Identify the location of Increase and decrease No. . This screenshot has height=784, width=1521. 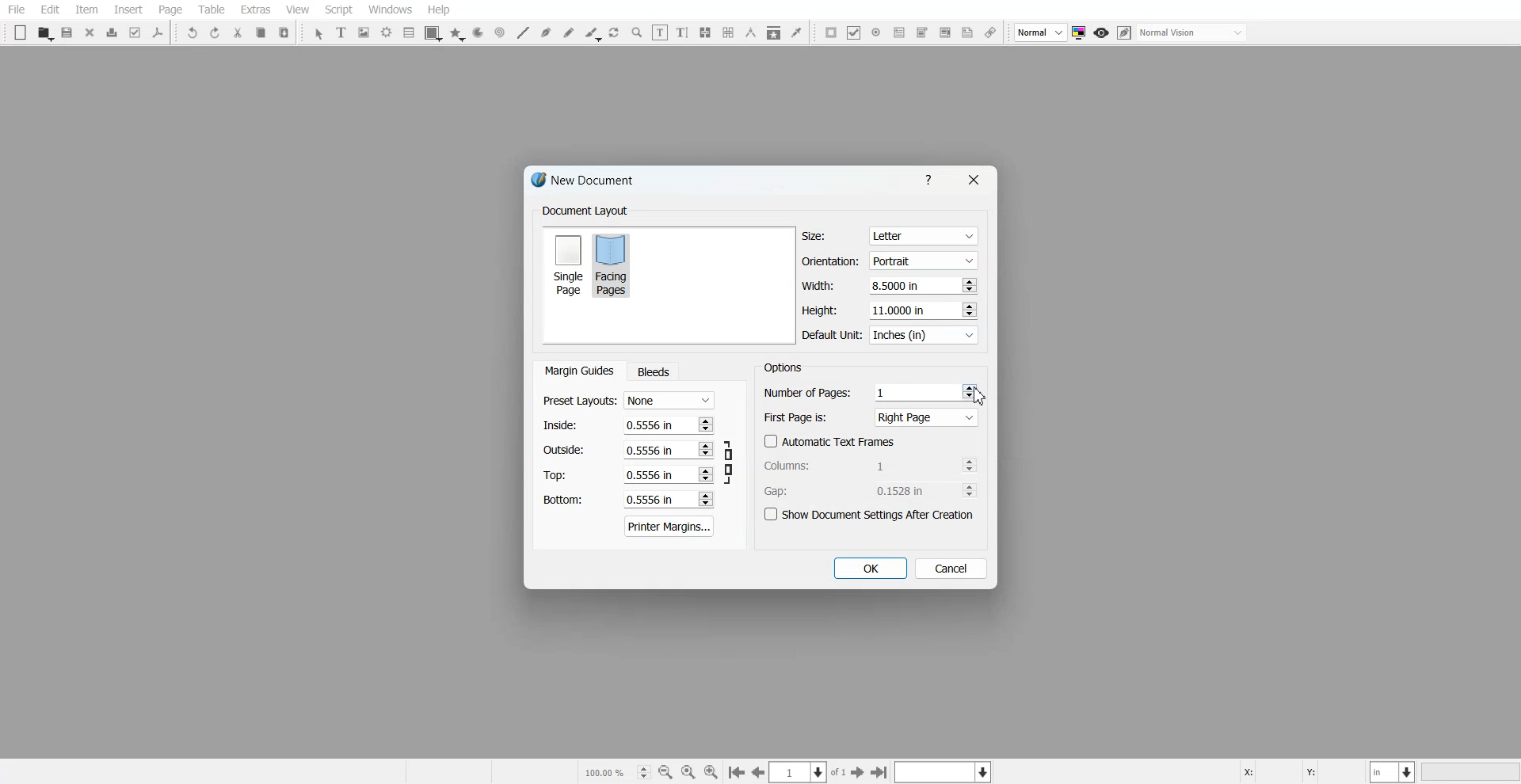
(704, 424).